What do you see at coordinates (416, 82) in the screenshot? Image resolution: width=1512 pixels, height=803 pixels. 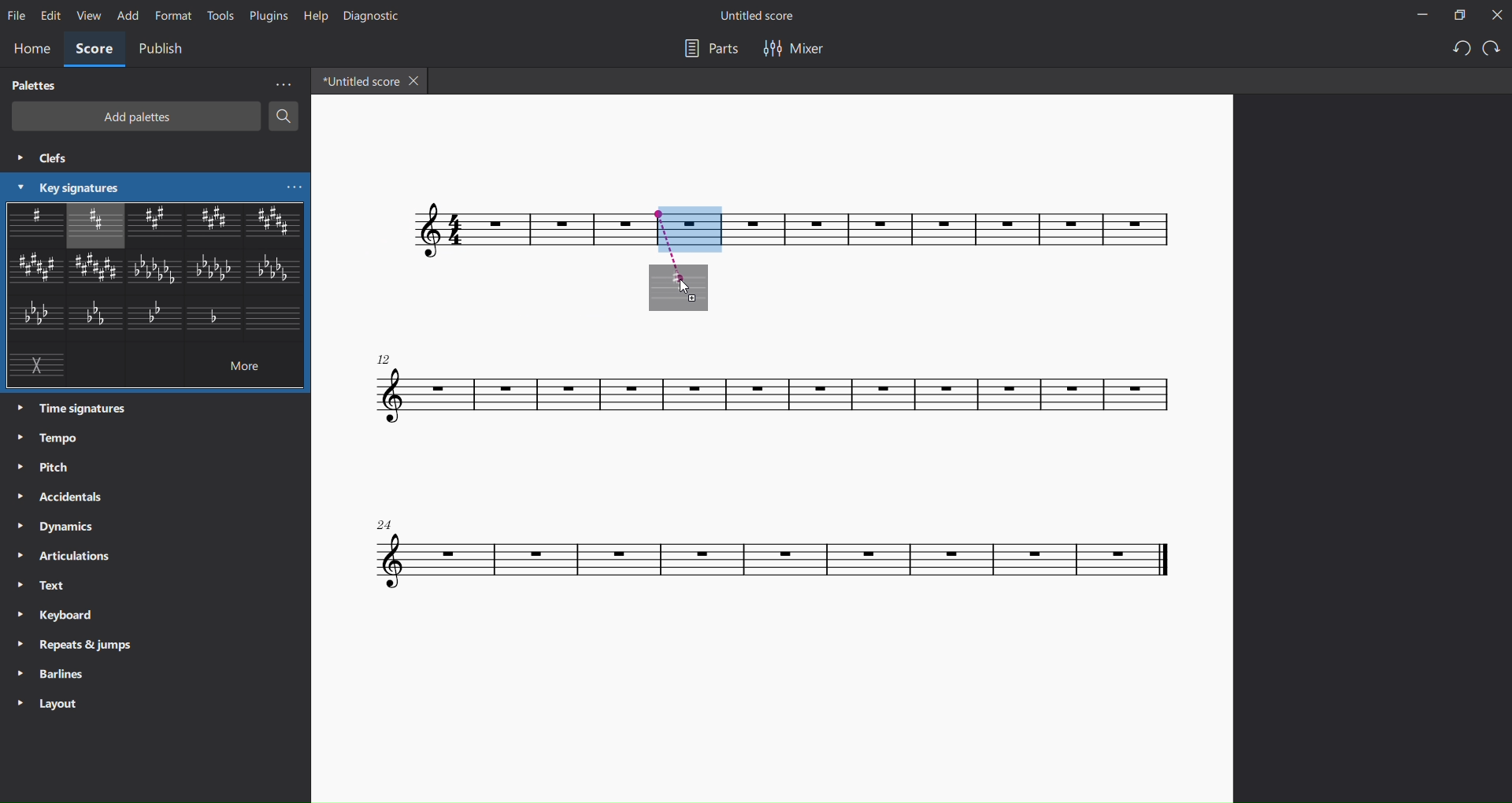 I see `close tab` at bounding box center [416, 82].